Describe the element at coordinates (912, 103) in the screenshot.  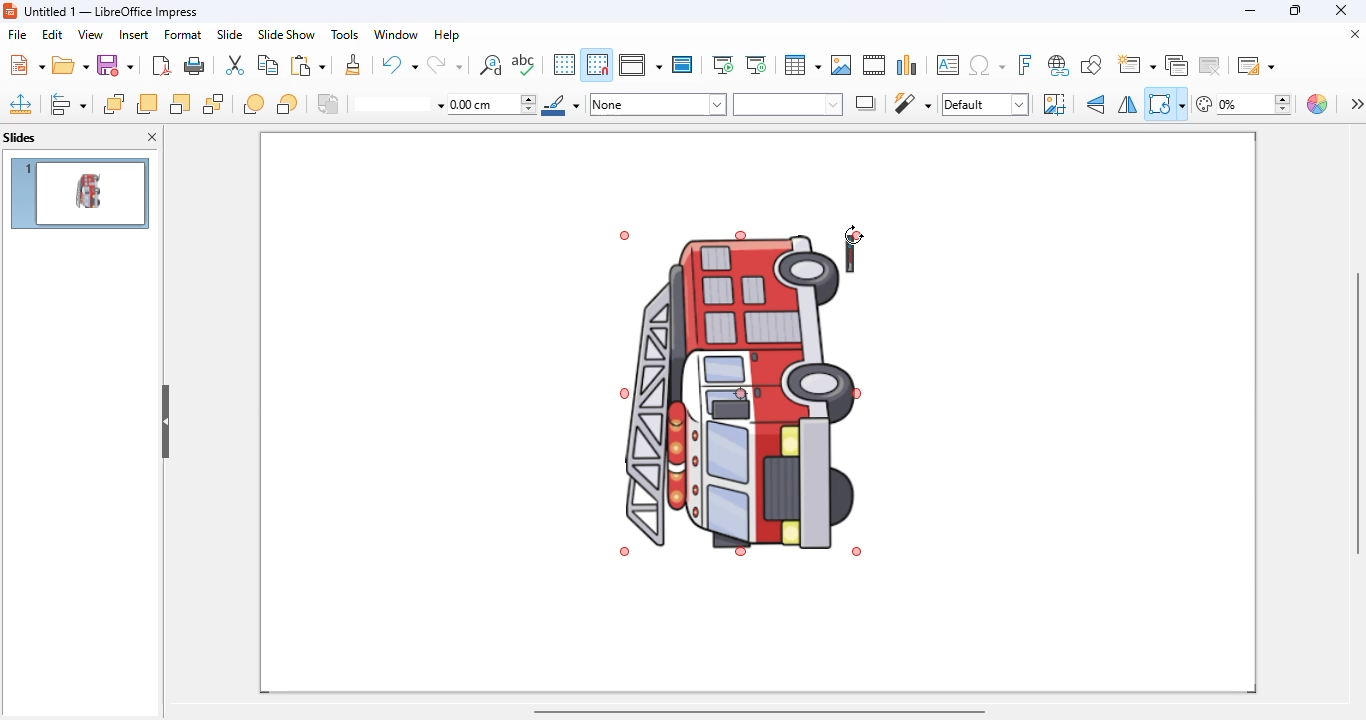
I see `filter` at that location.